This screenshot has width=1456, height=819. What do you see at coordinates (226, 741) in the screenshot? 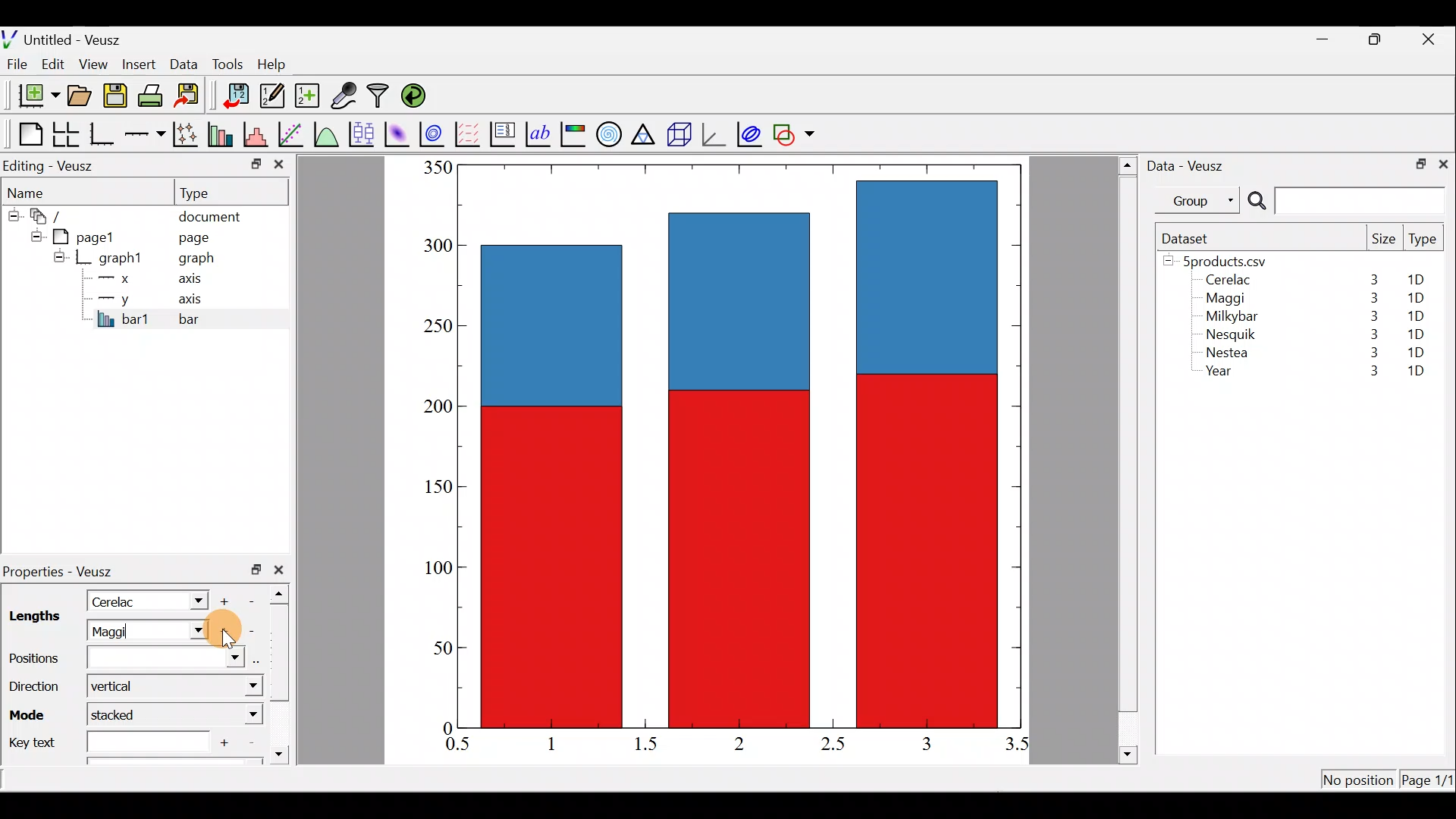
I see `add another item` at bounding box center [226, 741].